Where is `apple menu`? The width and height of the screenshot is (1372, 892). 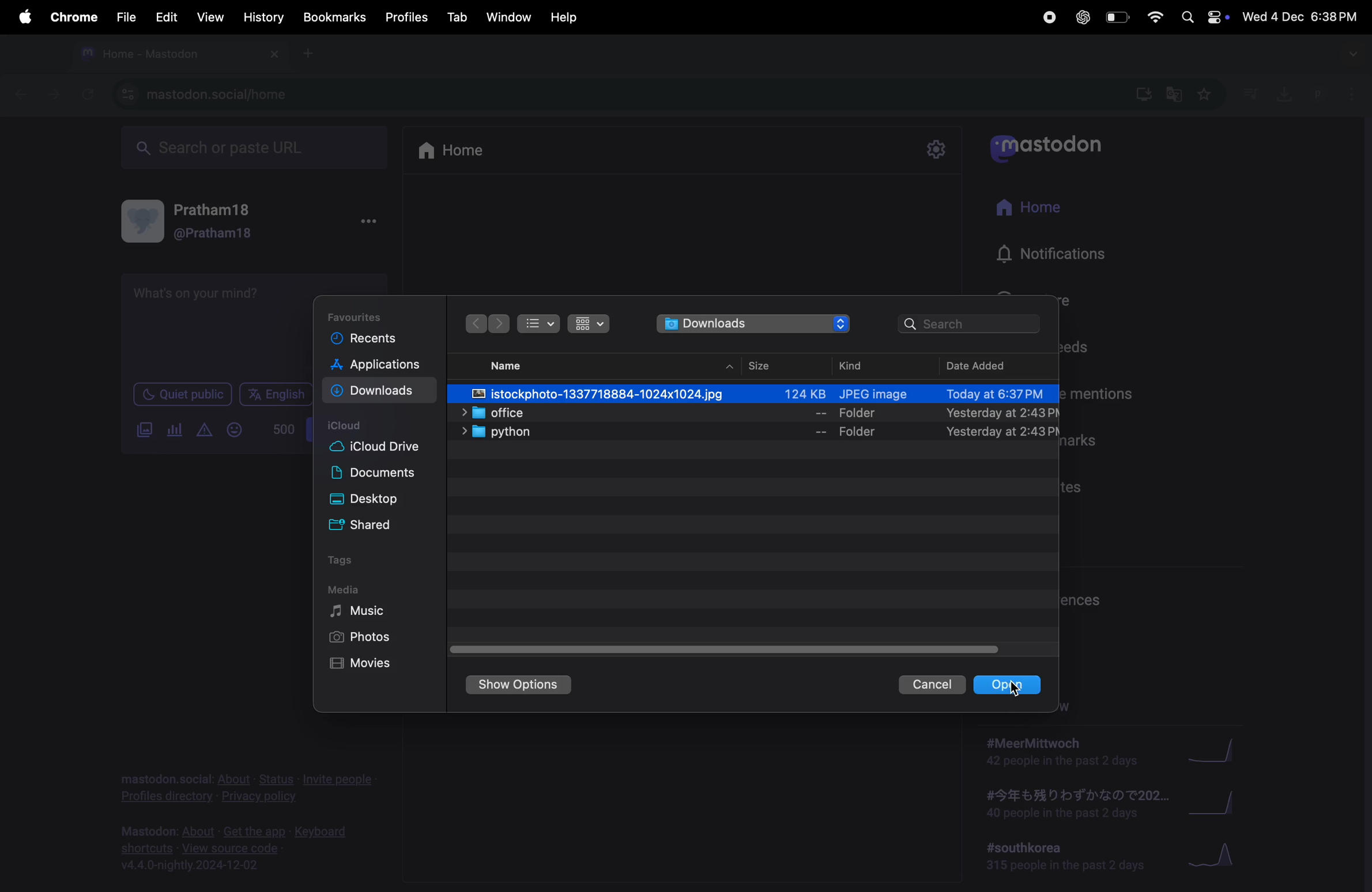
apple menu is located at coordinates (22, 17).